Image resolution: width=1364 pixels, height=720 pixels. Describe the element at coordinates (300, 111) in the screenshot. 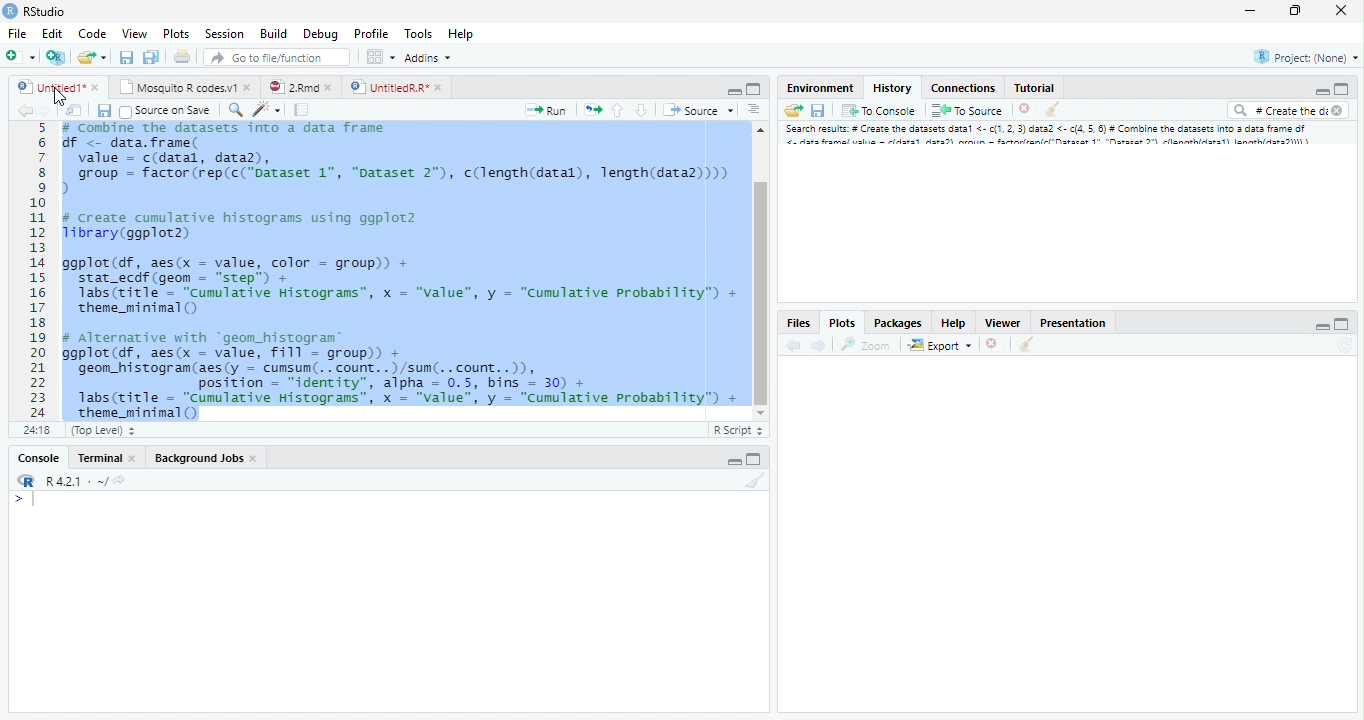

I see `Pages` at that location.